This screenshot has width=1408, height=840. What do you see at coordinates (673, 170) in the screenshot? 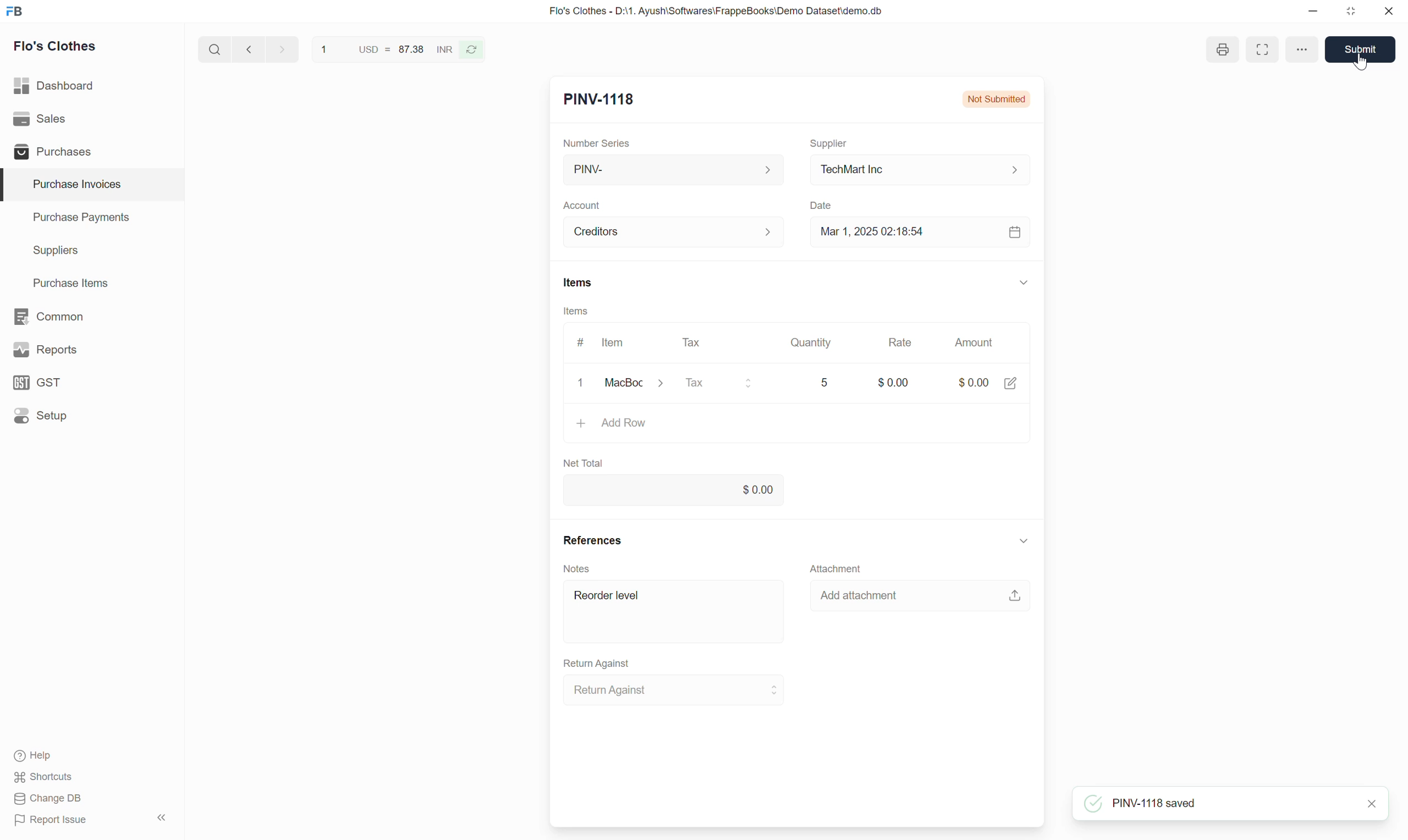
I see `PINV-` at bounding box center [673, 170].